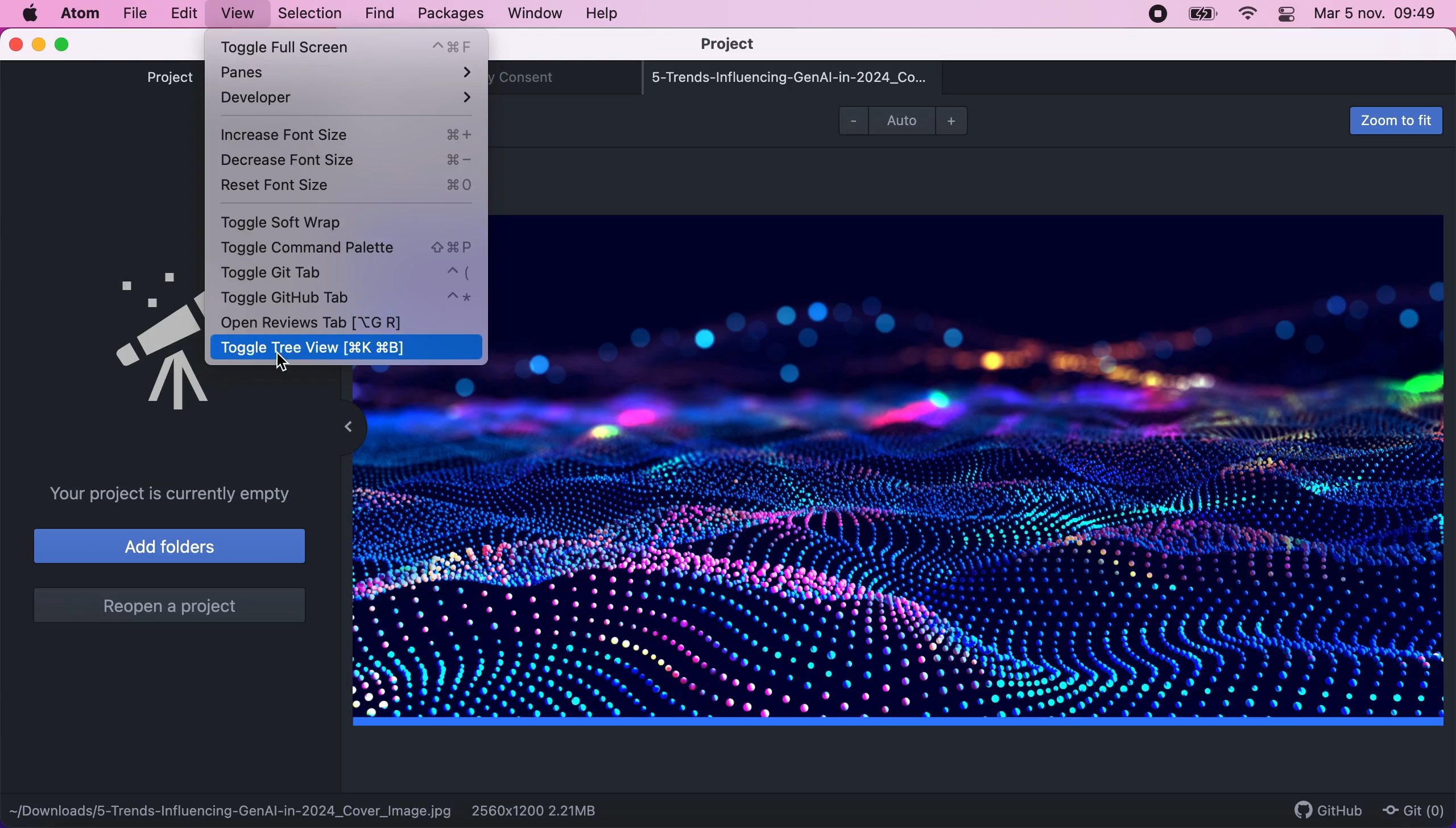 This screenshot has width=1456, height=828. Describe the element at coordinates (82, 16) in the screenshot. I see `atom` at that location.